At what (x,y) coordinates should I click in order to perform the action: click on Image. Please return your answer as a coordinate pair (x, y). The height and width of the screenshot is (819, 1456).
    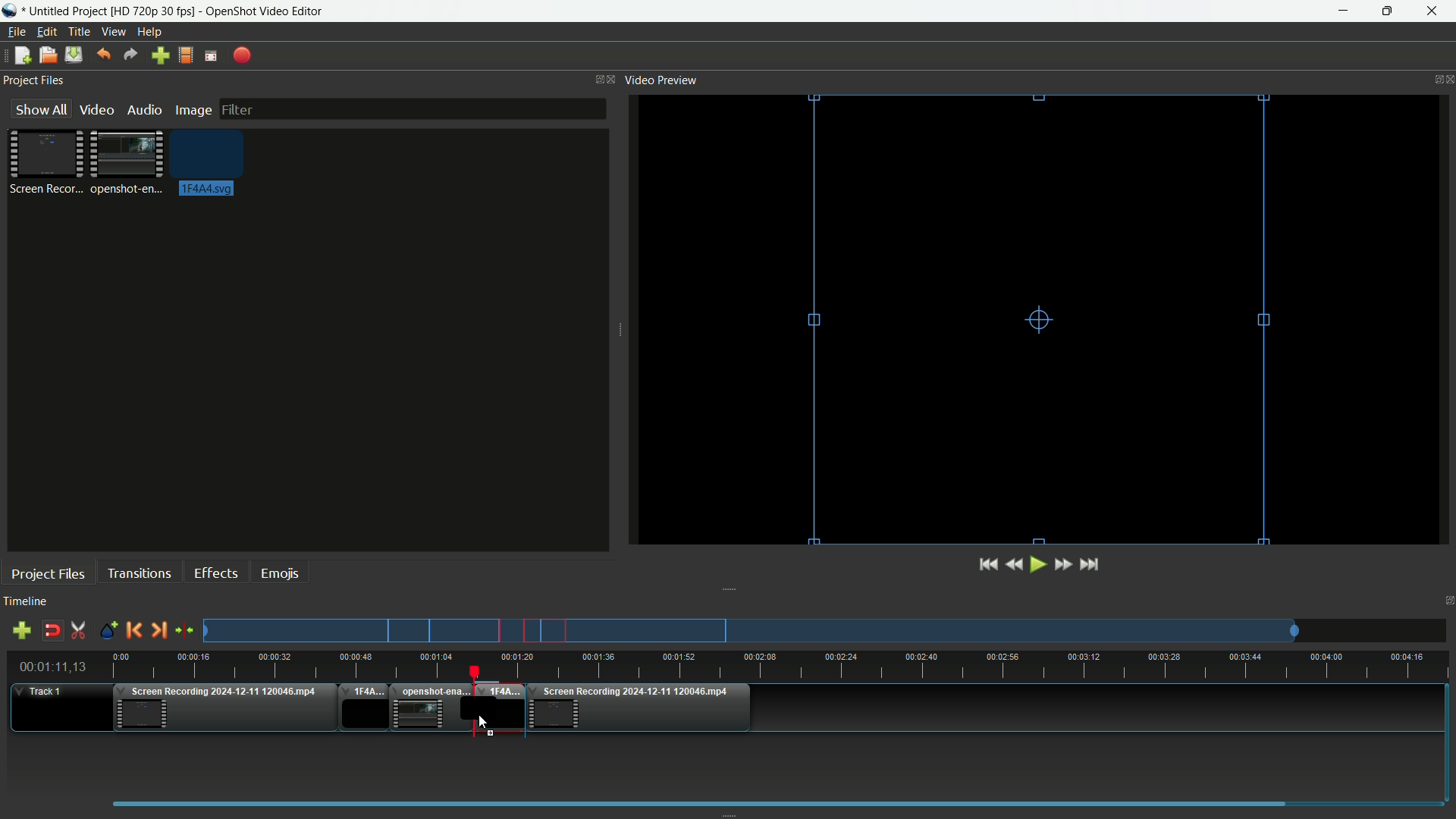
    Looking at the image, I should click on (193, 111).